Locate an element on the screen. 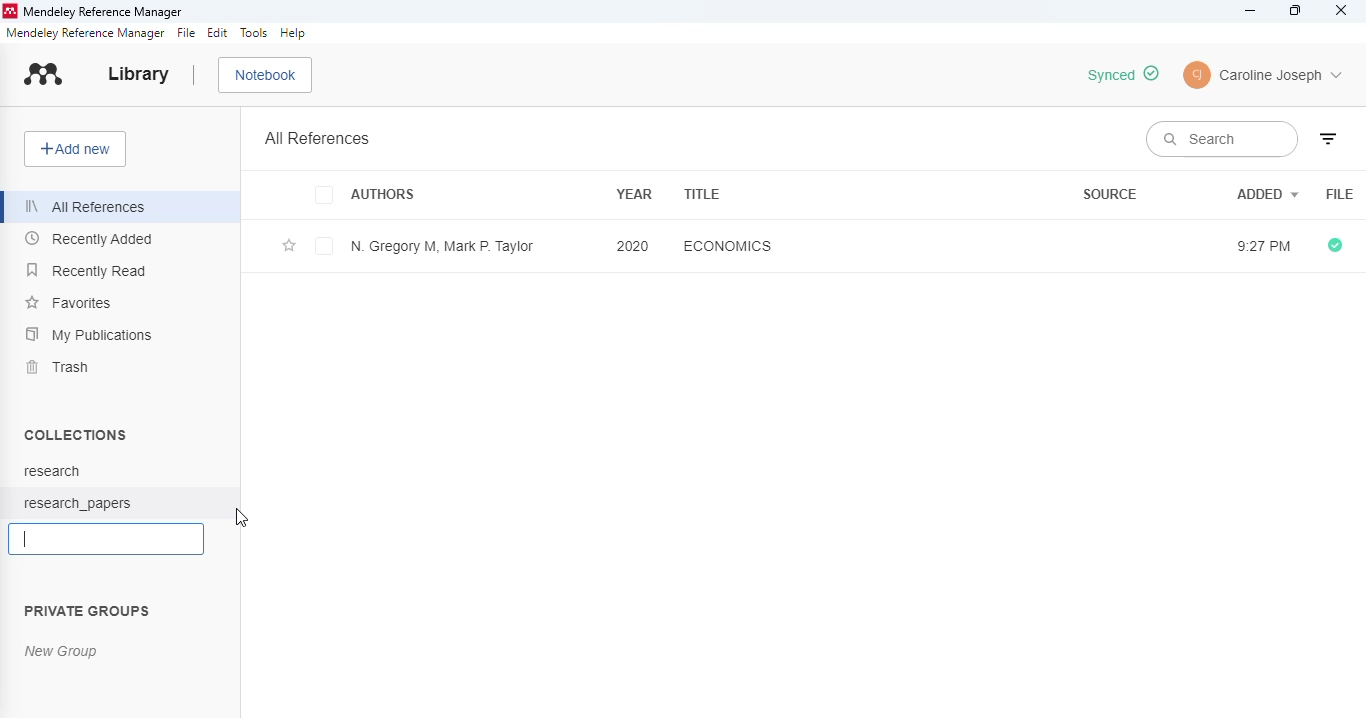 The height and width of the screenshot is (718, 1366). minimize is located at coordinates (1251, 11).